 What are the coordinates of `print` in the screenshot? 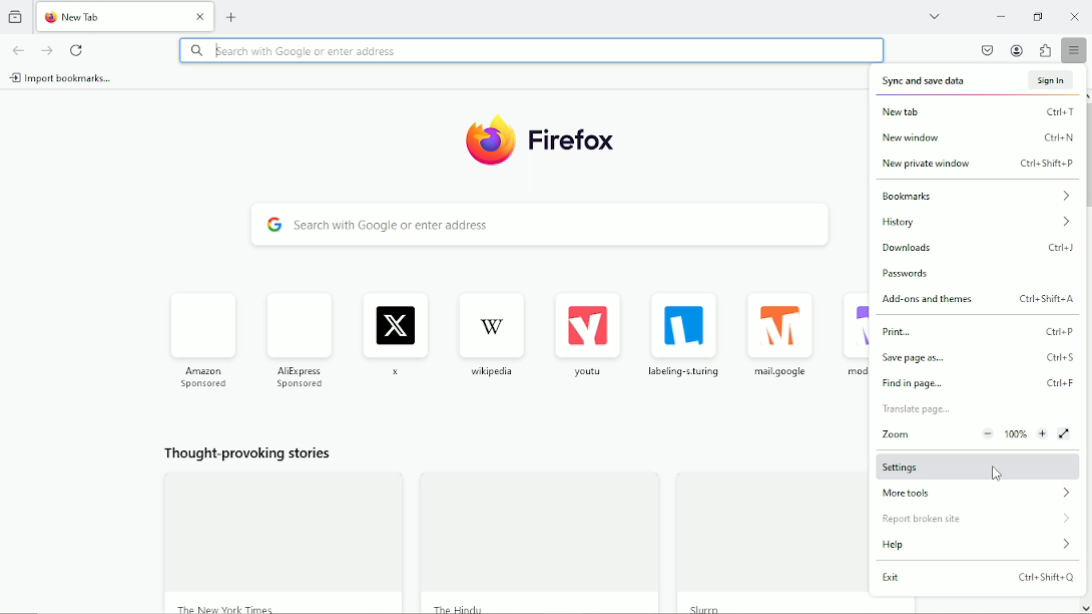 It's located at (979, 332).